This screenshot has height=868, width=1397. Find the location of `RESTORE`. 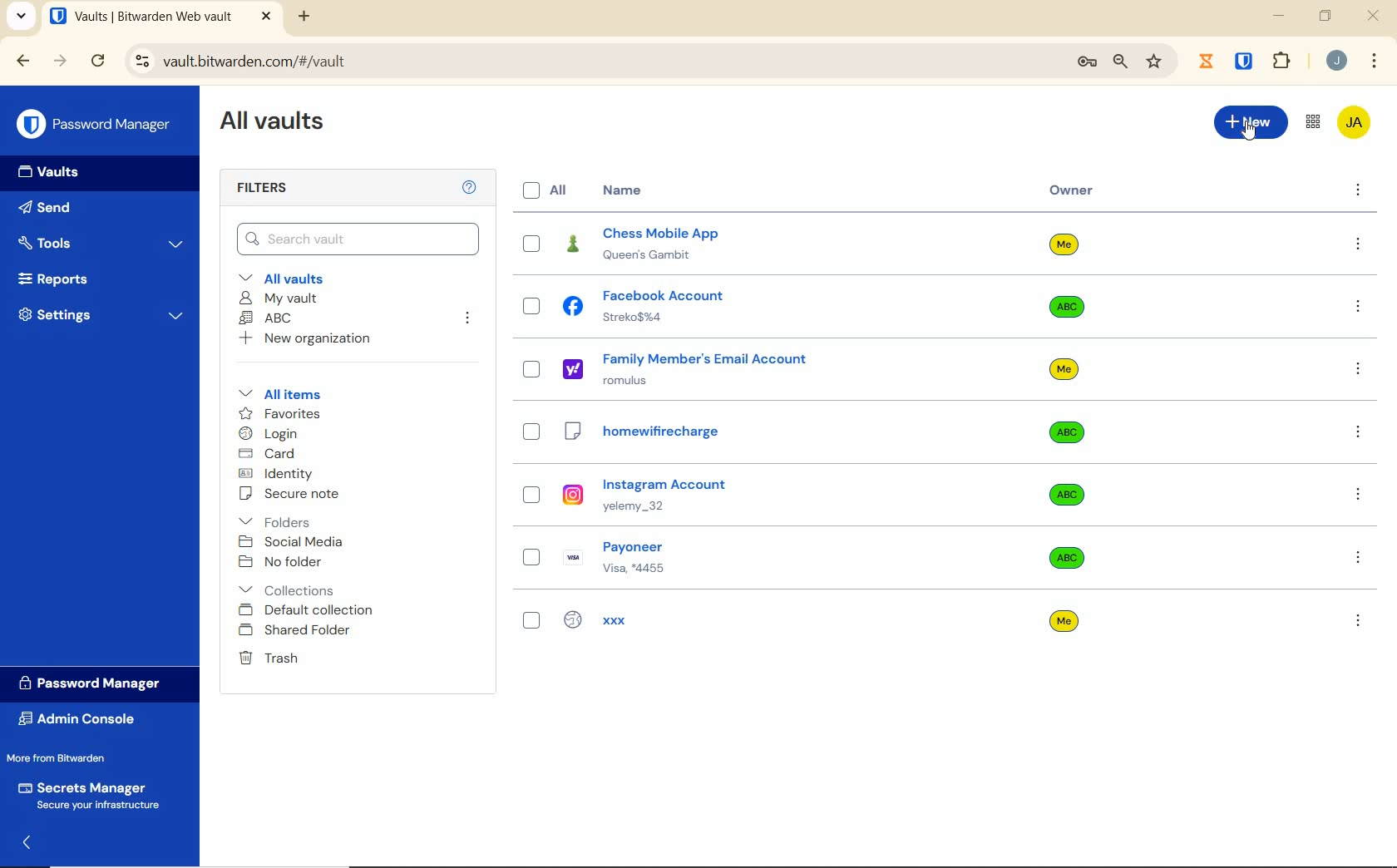

RESTORE is located at coordinates (1325, 18).